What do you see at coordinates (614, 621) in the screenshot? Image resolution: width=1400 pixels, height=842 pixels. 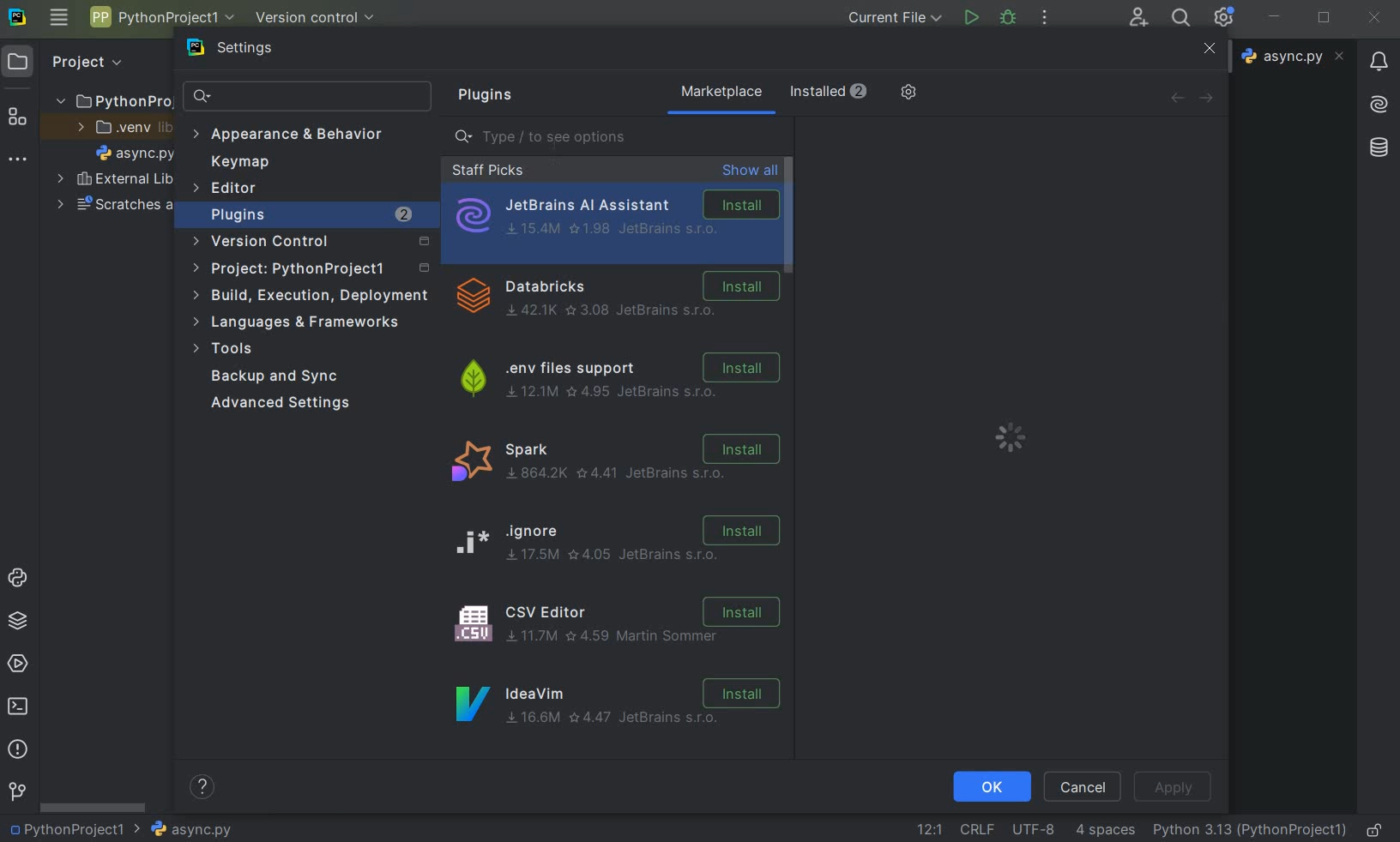 I see `CSV Editor` at bounding box center [614, 621].